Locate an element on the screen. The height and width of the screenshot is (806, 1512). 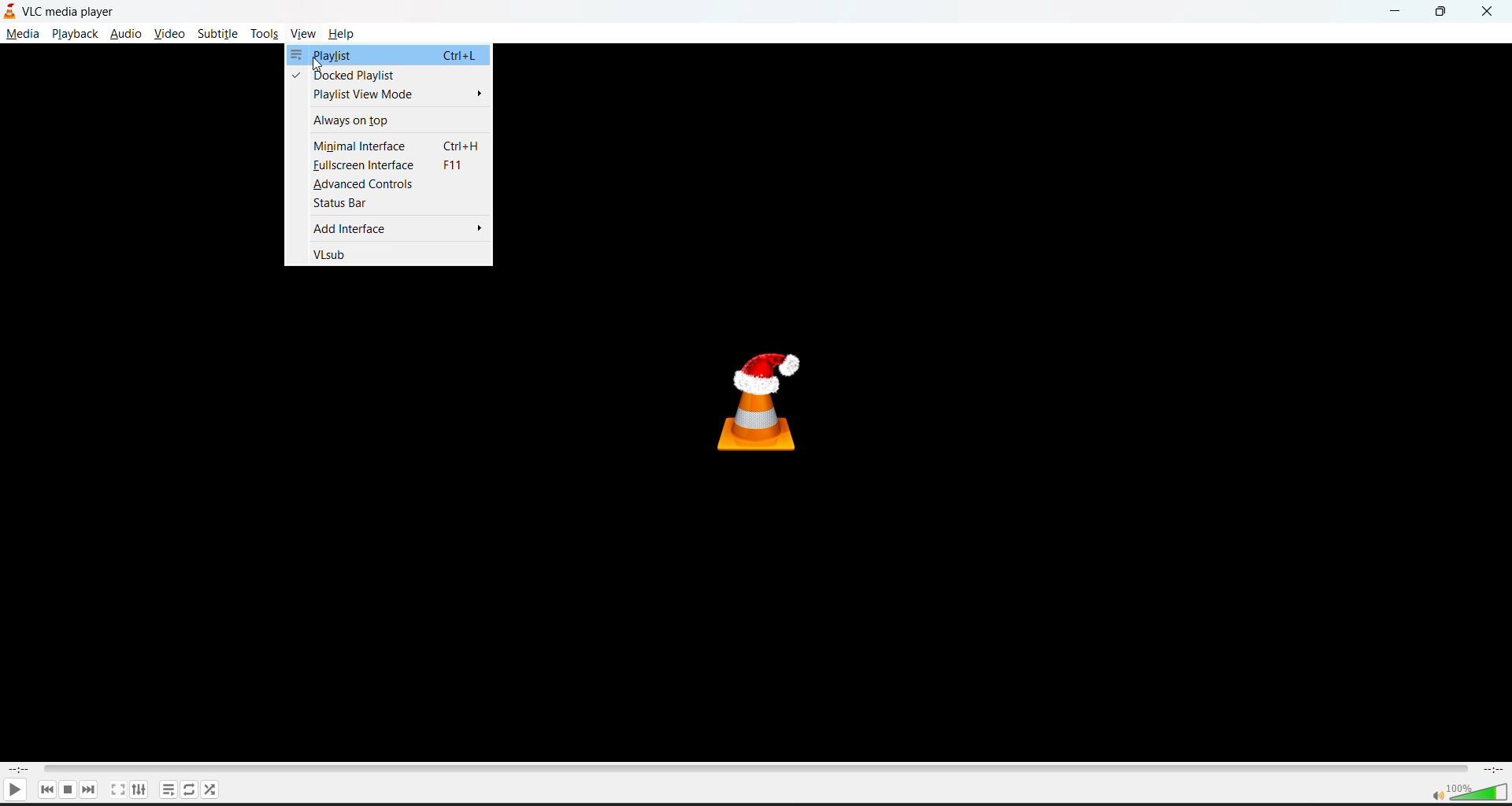
VLC media player is located at coordinates (76, 13).